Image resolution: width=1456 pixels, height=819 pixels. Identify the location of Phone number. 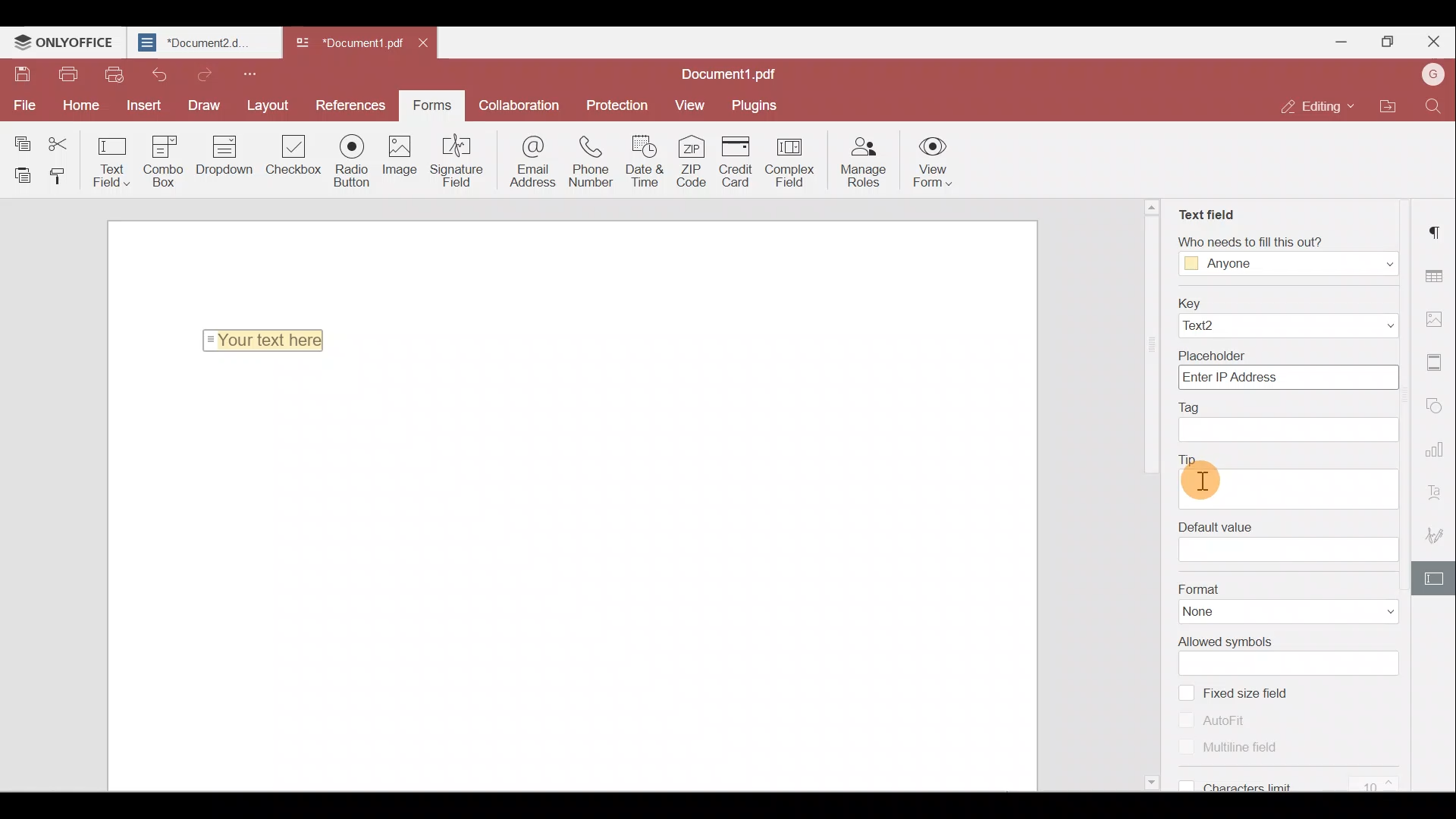
(591, 163).